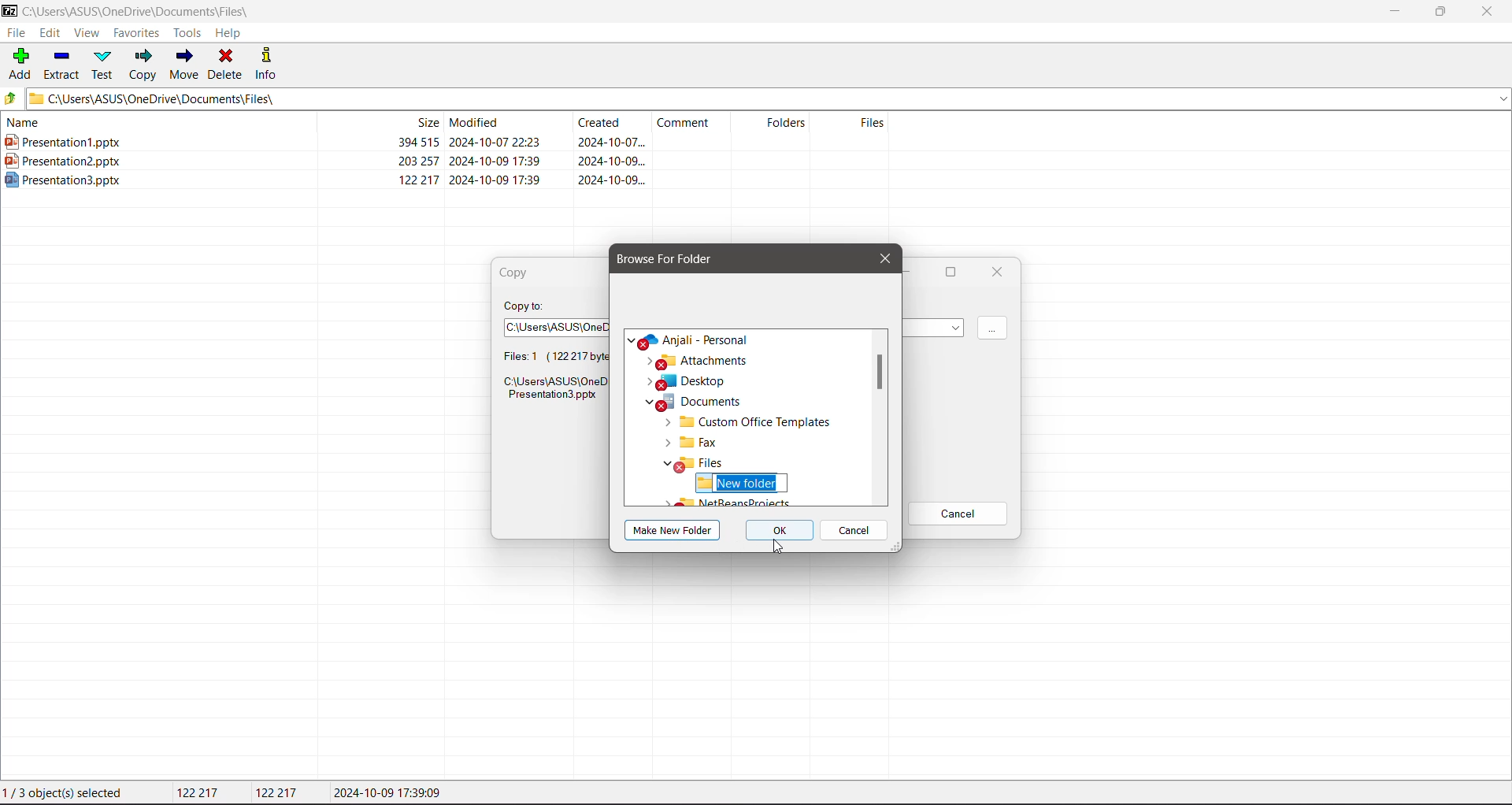 The height and width of the screenshot is (805, 1512). Describe the element at coordinates (62, 65) in the screenshot. I see `Extract` at that location.